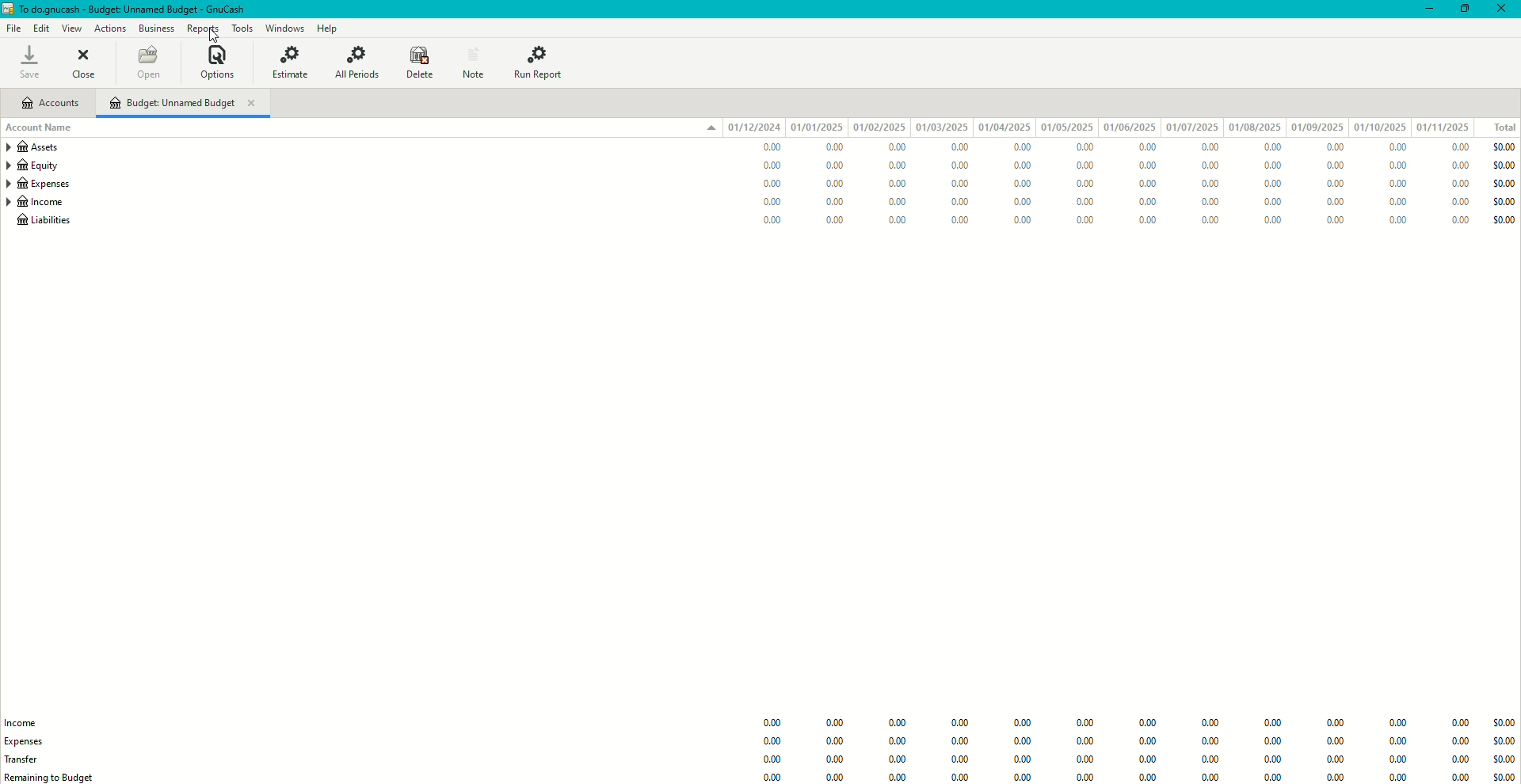 The height and width of the screenshot is (784, 1521). Describe the element at coordinates (543, 62) in the screenshot. I see `Run Report` at that location.